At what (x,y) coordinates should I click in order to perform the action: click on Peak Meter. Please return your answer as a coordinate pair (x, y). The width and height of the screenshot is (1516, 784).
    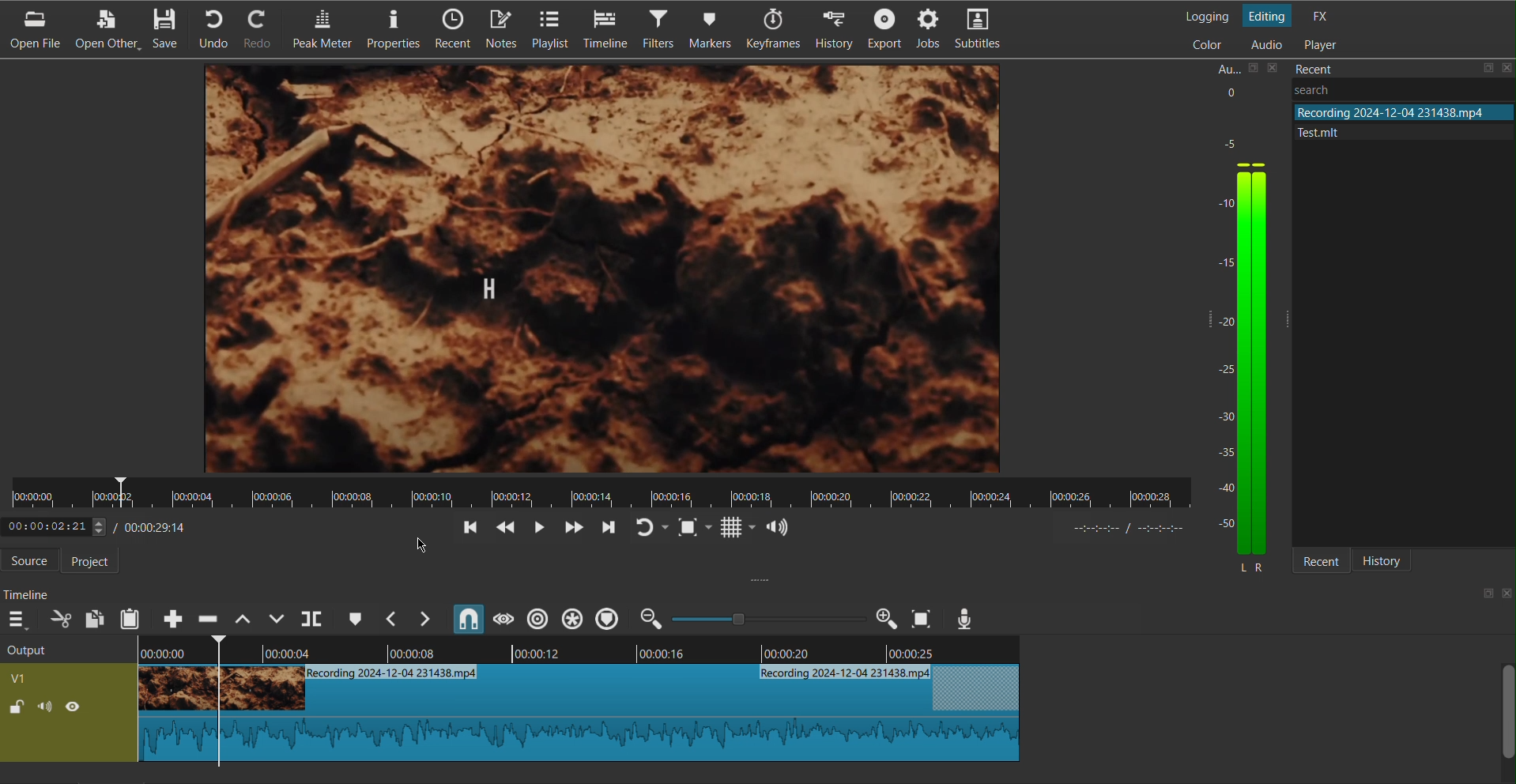
    Looking at the image, I should click on (319, 30).